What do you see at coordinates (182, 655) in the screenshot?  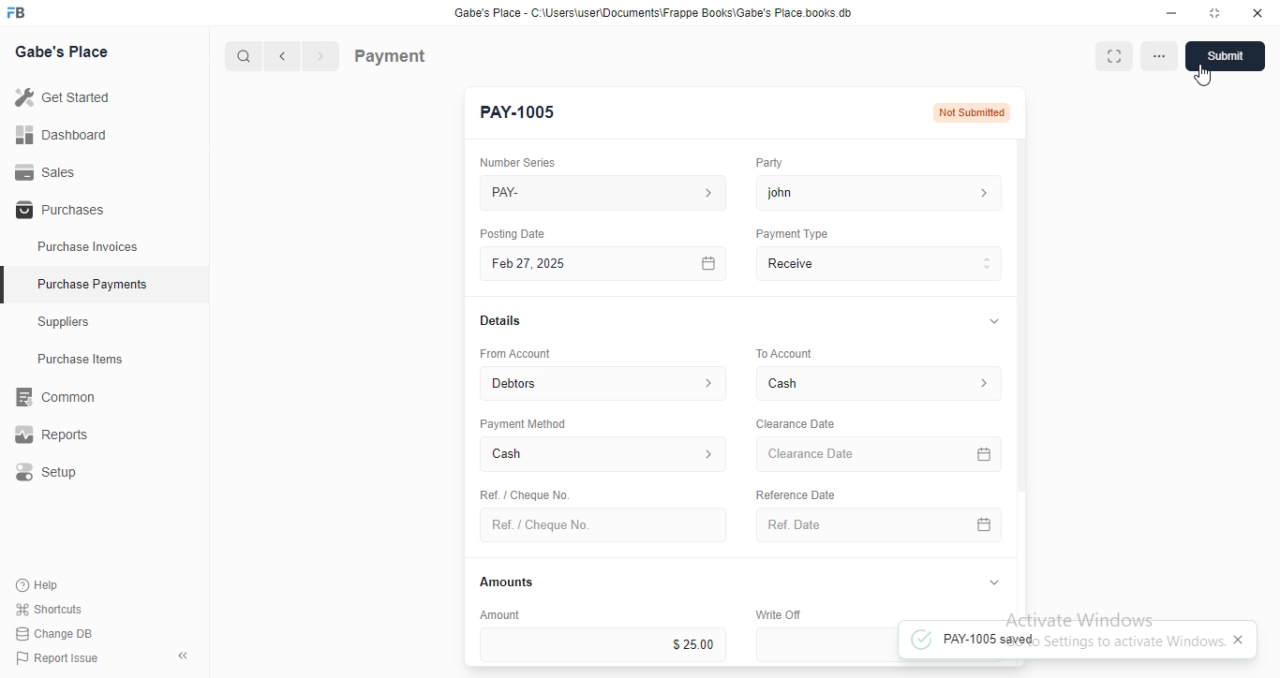 I see `collapse sidebar` at bounding box center [182, 655].